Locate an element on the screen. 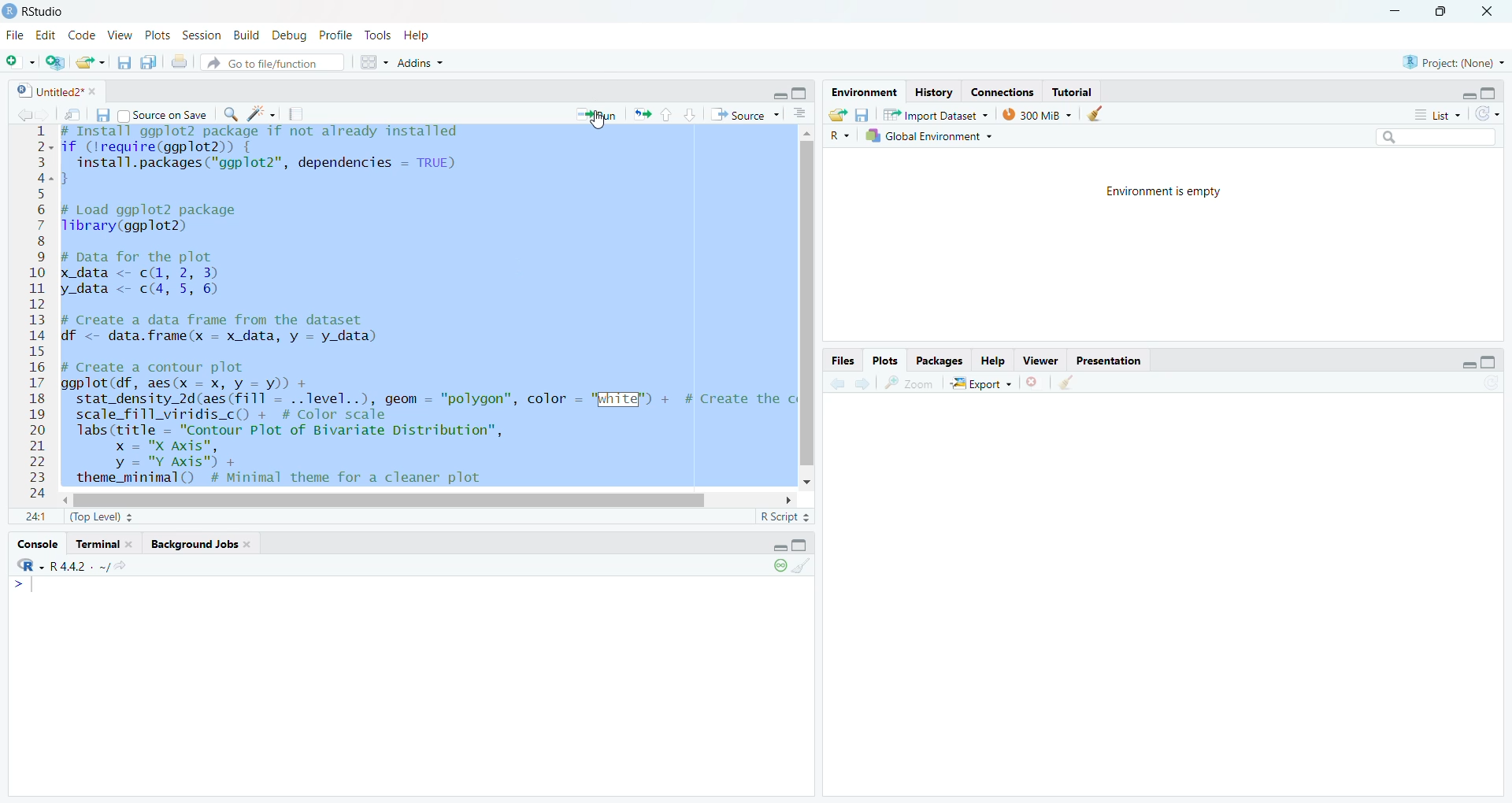 This screenshot has height=803, width=1512. load workspace is located at coordinates (839, 115).